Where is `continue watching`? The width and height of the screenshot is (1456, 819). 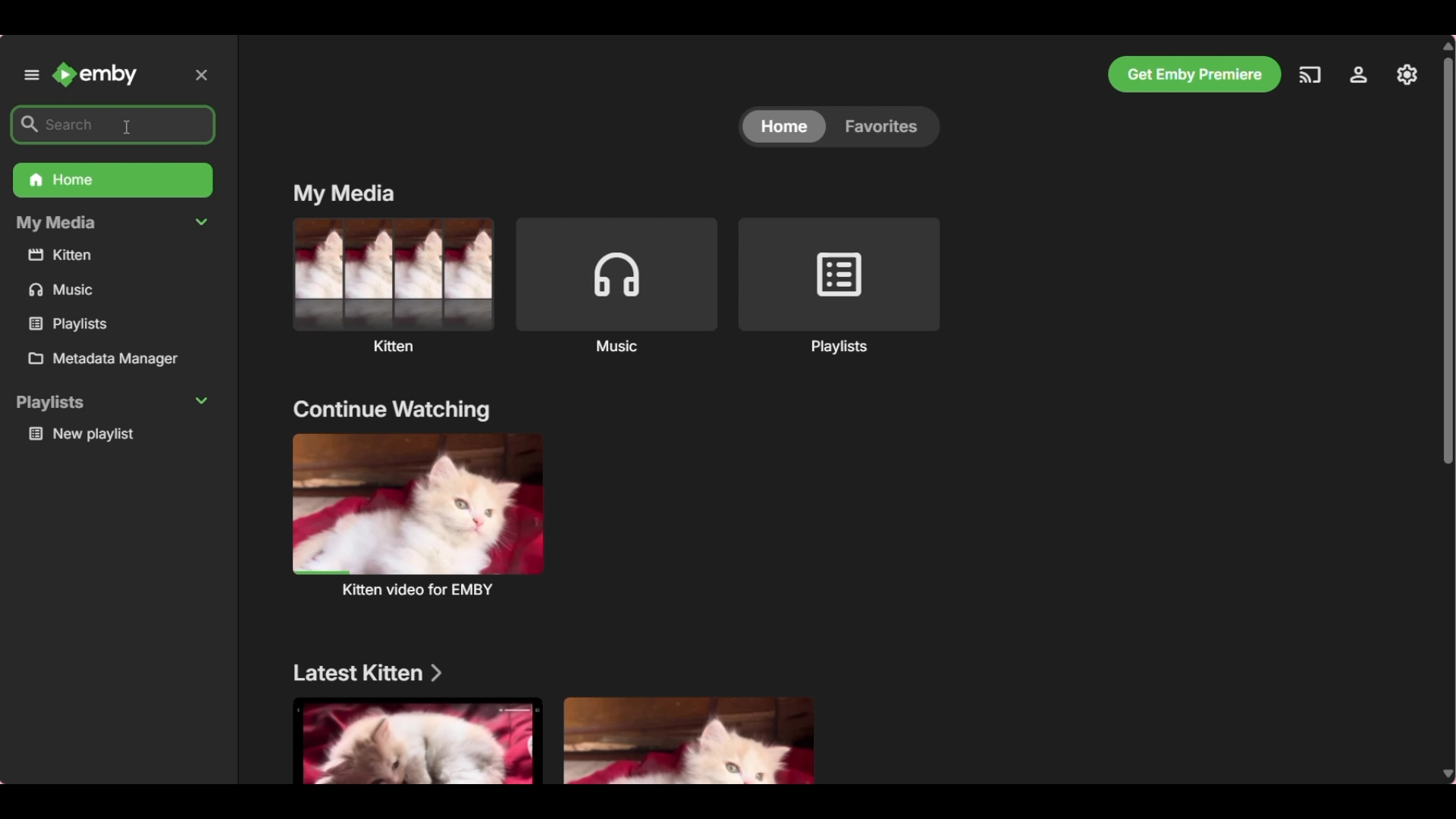 continue watching is located at coordinates (393, 409).